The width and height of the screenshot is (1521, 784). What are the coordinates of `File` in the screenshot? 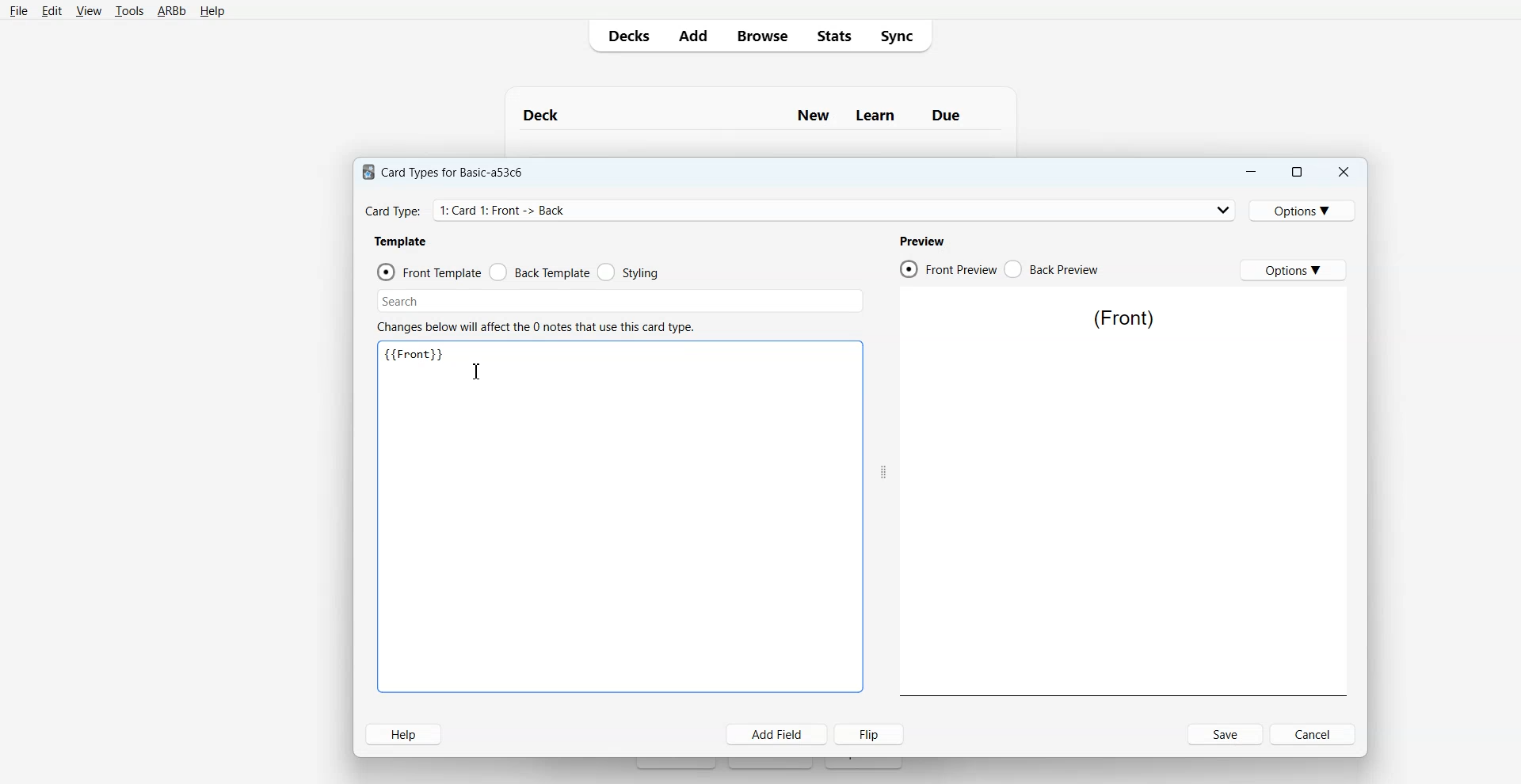 It's located at (18, 10).